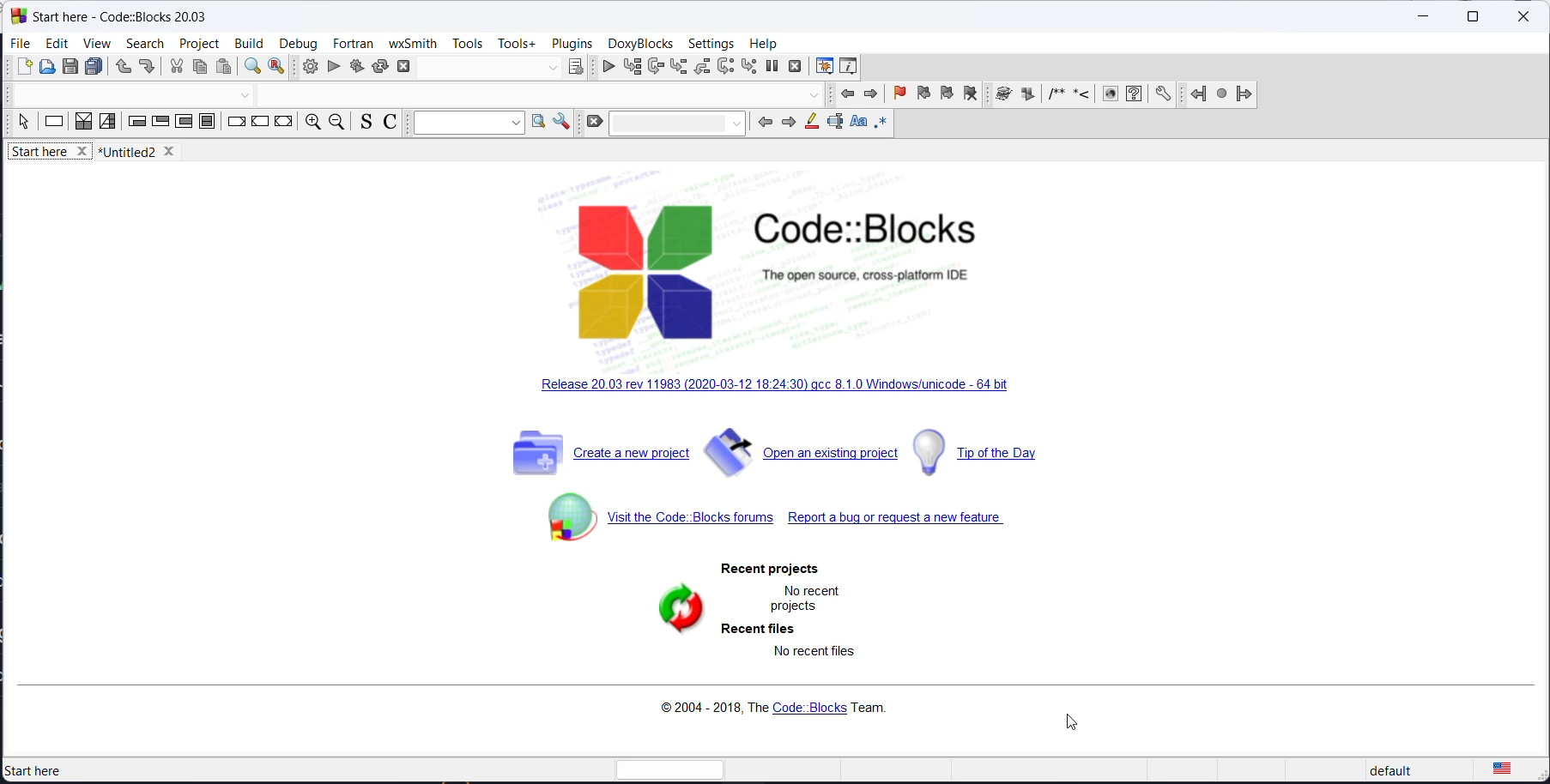 The image size is (1550, 784). I want to click on source comment, so click(363, 123).